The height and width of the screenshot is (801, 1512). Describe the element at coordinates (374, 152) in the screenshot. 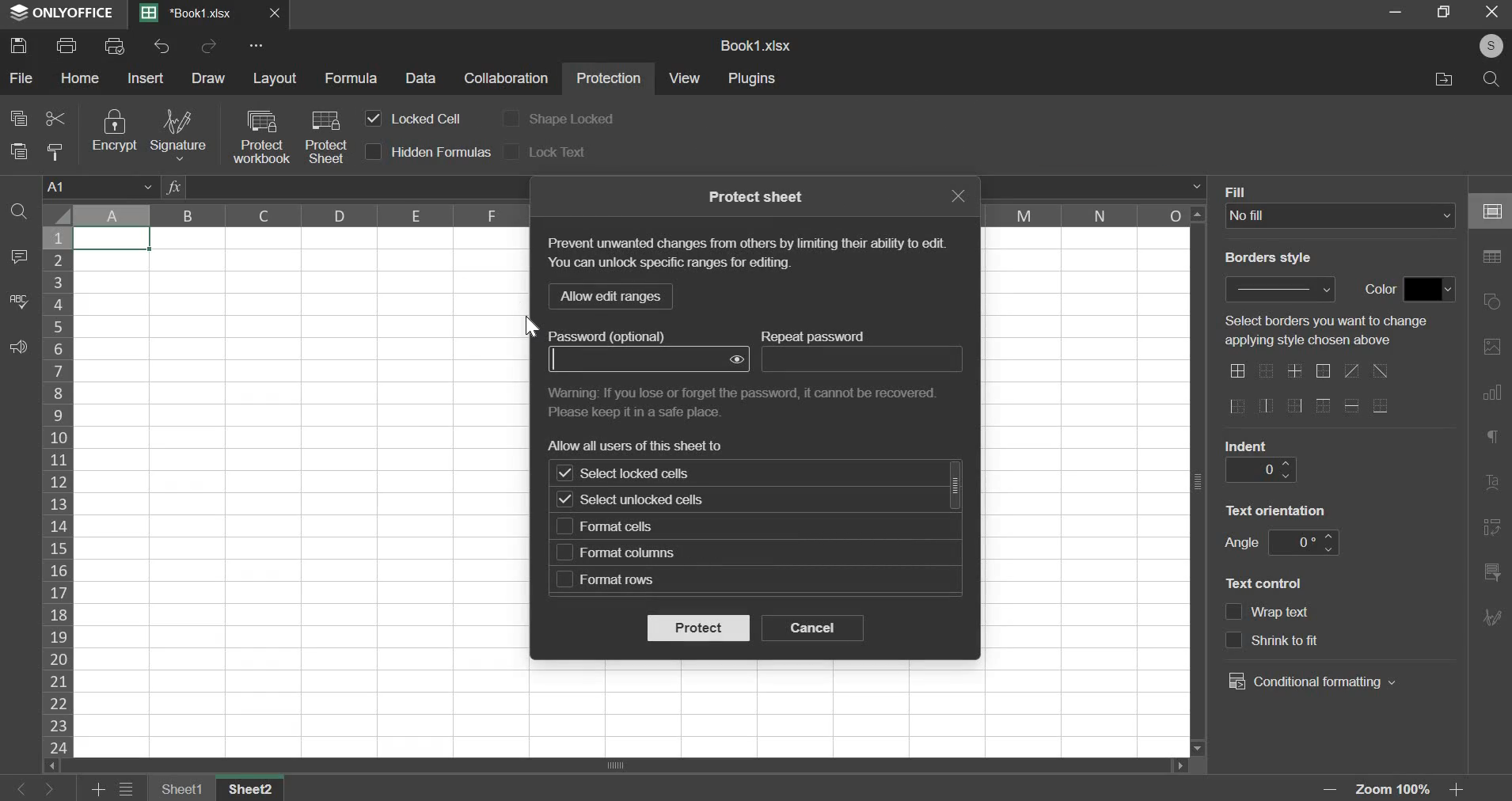

I see `checkbox` at that location.